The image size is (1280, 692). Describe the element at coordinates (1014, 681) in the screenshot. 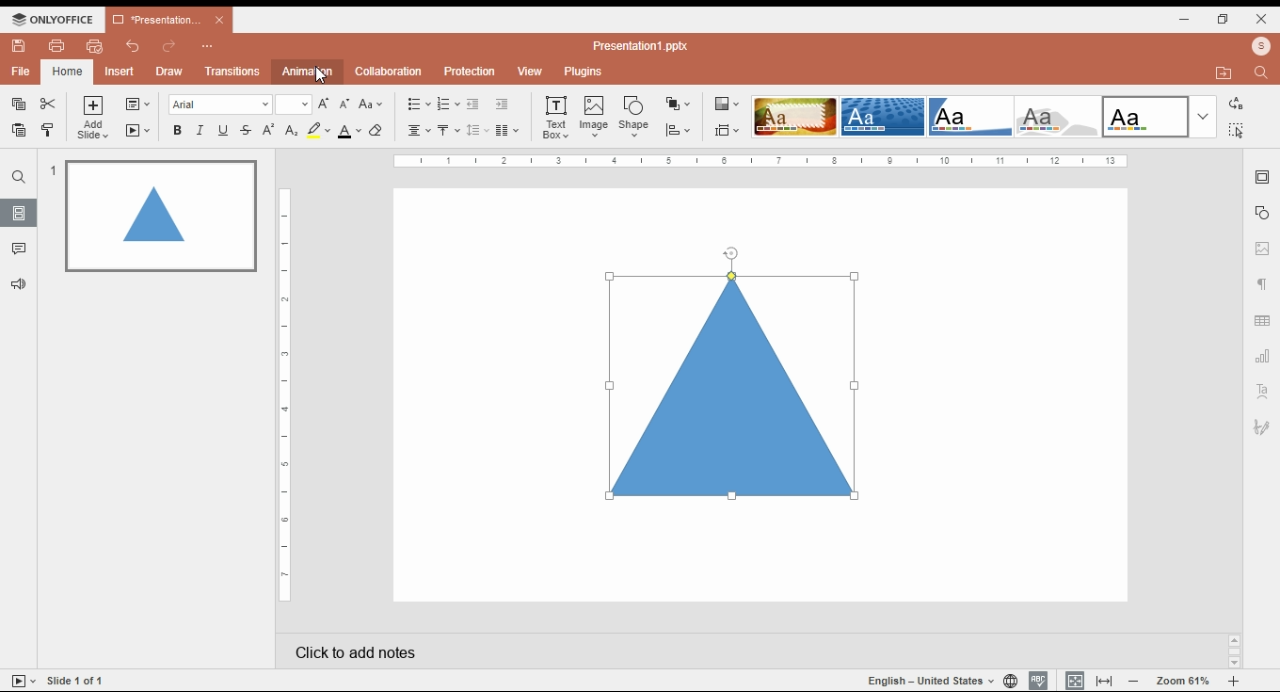

I see `set project language` at that location.